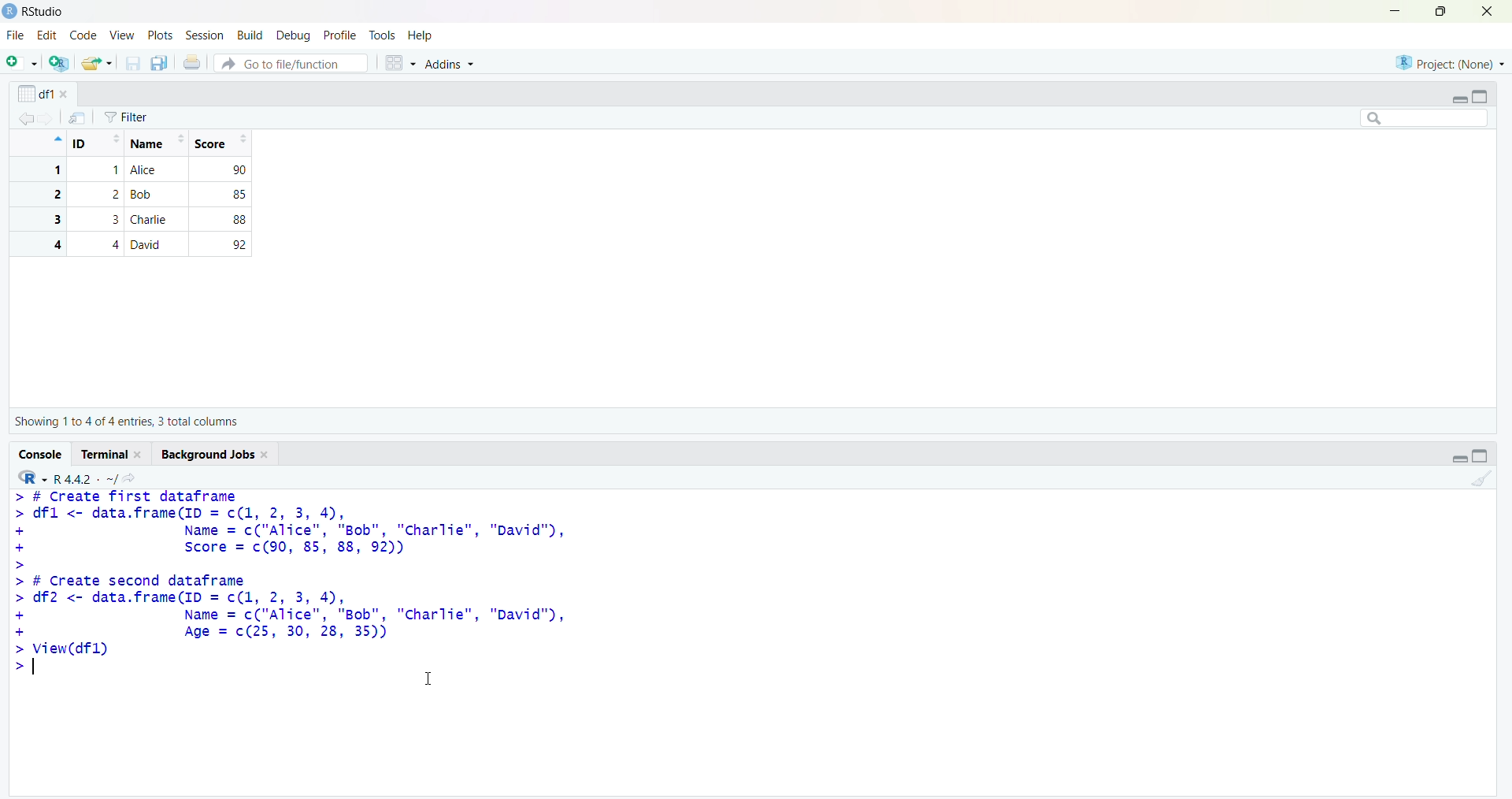  I want to click on share folder as, so click(98, 63).